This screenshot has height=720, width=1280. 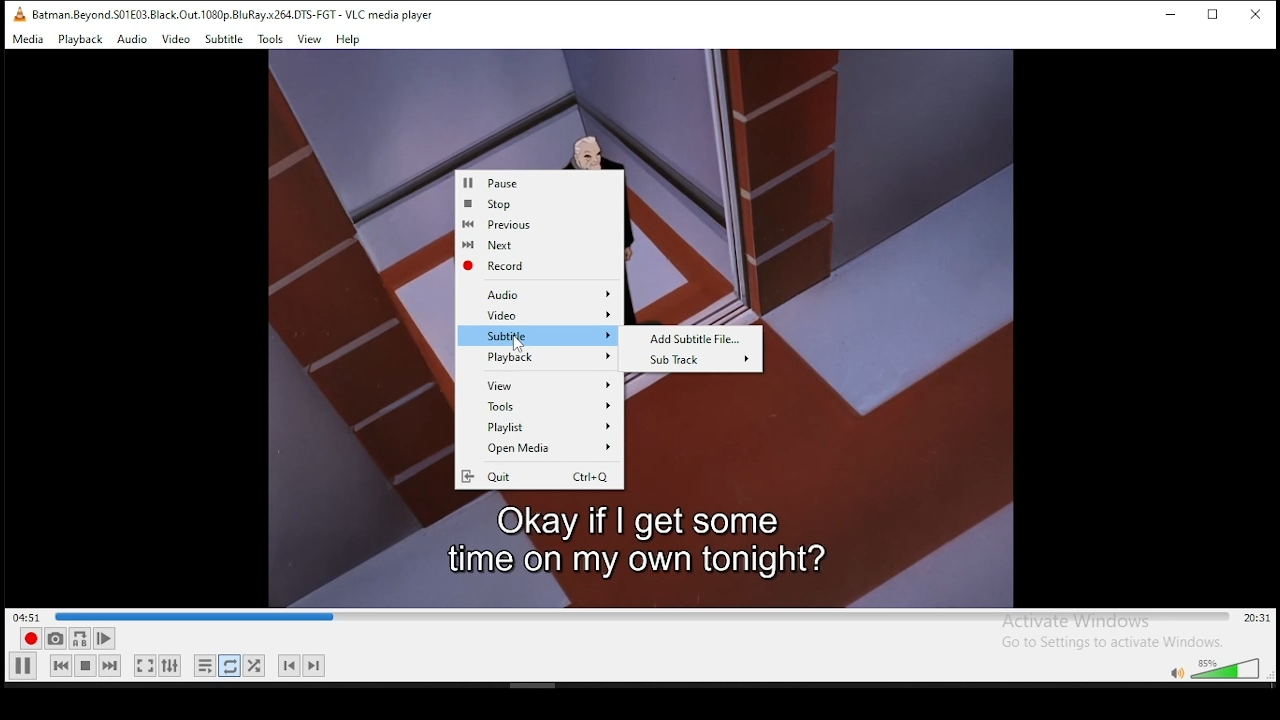 What do you see at coordinates (143, 665) in the screenshot?
I see `full screen` at bounding box center [143, 665].